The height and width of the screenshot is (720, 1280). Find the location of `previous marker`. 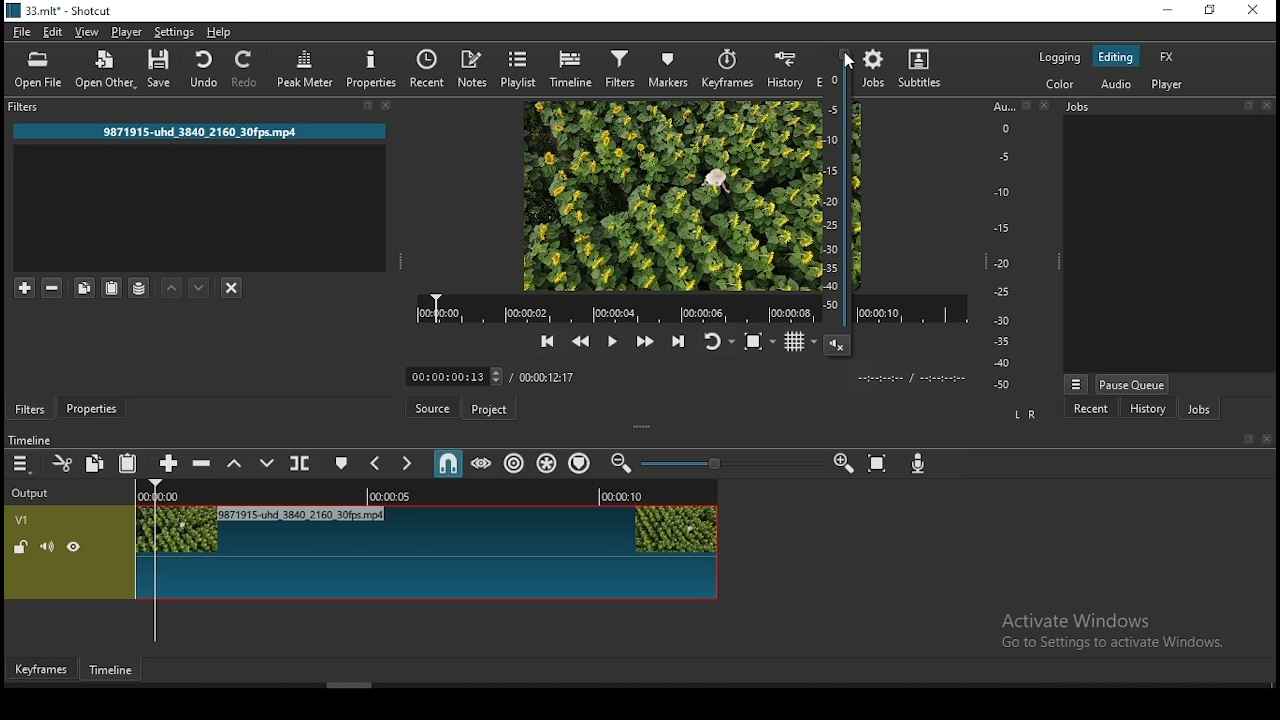

previous marker is located at coordinates (375, 464).